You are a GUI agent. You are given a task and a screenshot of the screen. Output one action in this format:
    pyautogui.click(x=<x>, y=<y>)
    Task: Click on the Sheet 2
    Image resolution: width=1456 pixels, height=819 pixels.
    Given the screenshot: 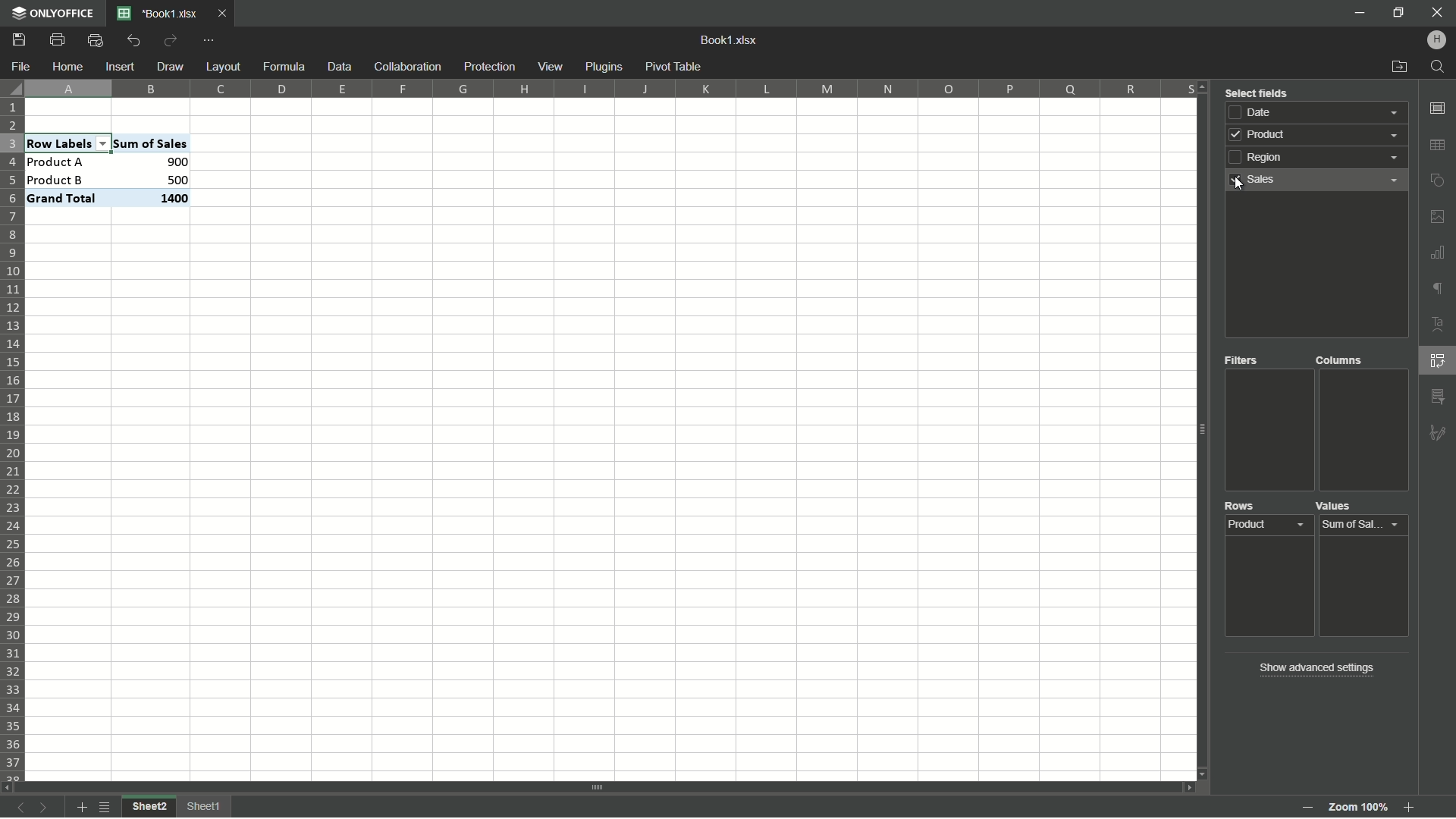 What is the action you would take?
    pyautogui.click(x=149, y=807)
    